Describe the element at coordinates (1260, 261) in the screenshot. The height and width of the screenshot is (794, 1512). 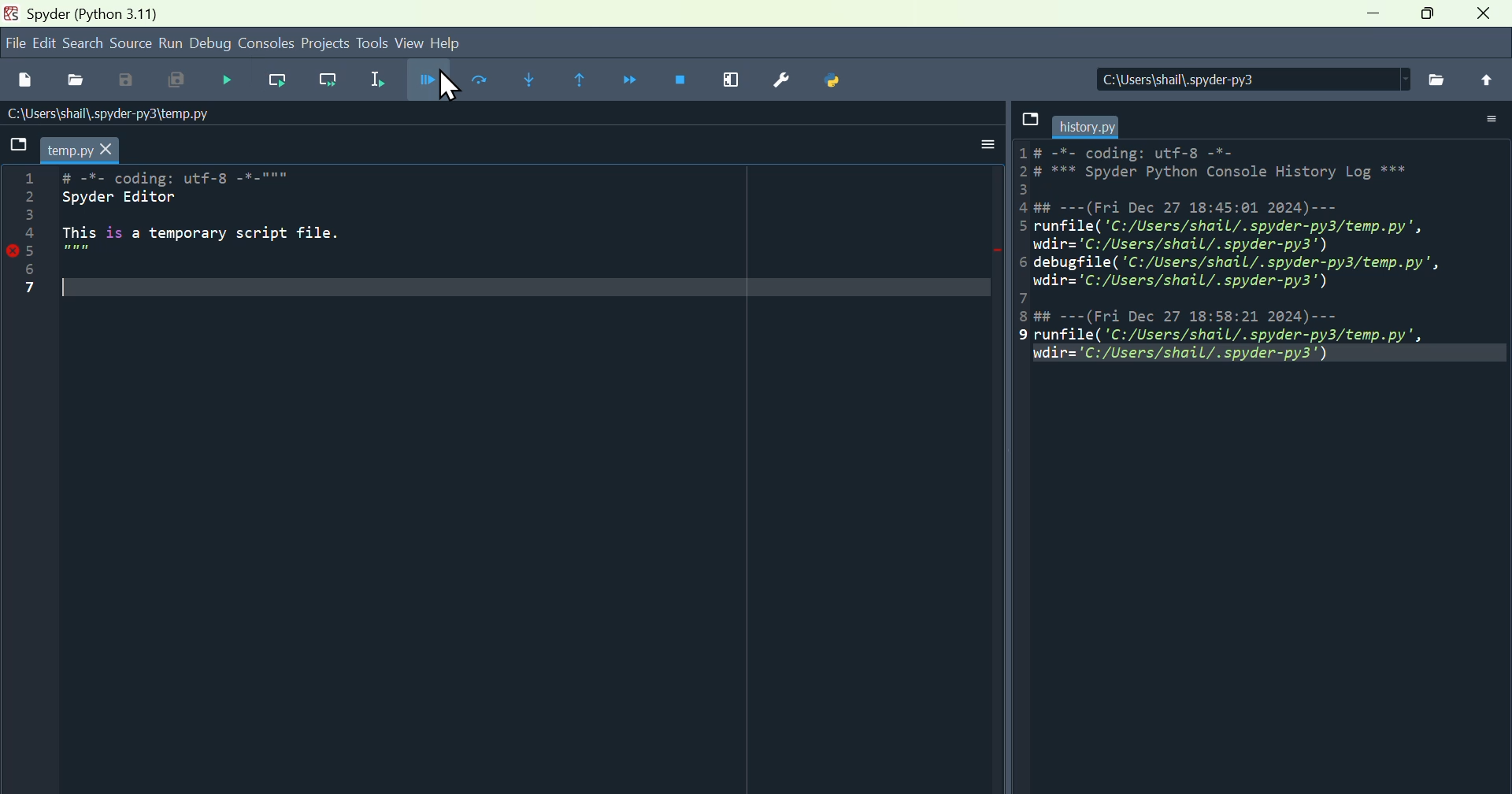
I see `History pane - 1#-*- coding: utf-8 -*- 2*** Spyder Python Console History Log*** 3 4(Fri Dec 27 18:45:01 2024)... 5 runfile("C:/Users/shail/.spyder-py3/temp.py", wdir='C:/Users/shail/.spyder-py3') 6 debugfile('C:/Users/shail/.spyder-py3/temp.py", udir='C:/Users/shail/.spyder-py3') 7 8#(Fri Dec 27 18:58:21 2024) 9 runfile("C:/Users/shail/.spyder-py3/temp.py", udir='C:/Users/shall/.spyder-py3)` at that location.